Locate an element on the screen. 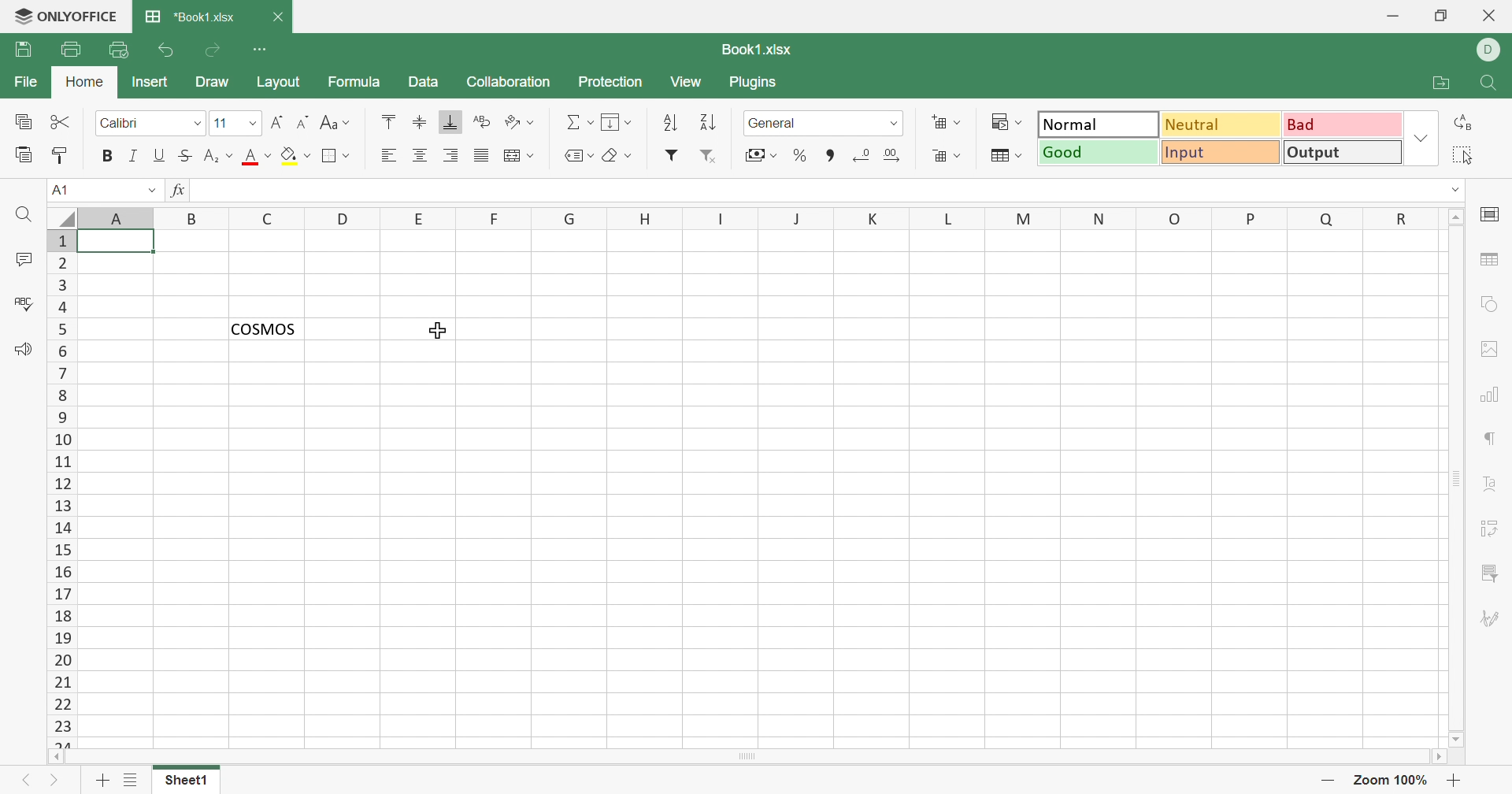 The height and width of the screenshot is (794, 1512). Underline is located at coordinates (161, 155).